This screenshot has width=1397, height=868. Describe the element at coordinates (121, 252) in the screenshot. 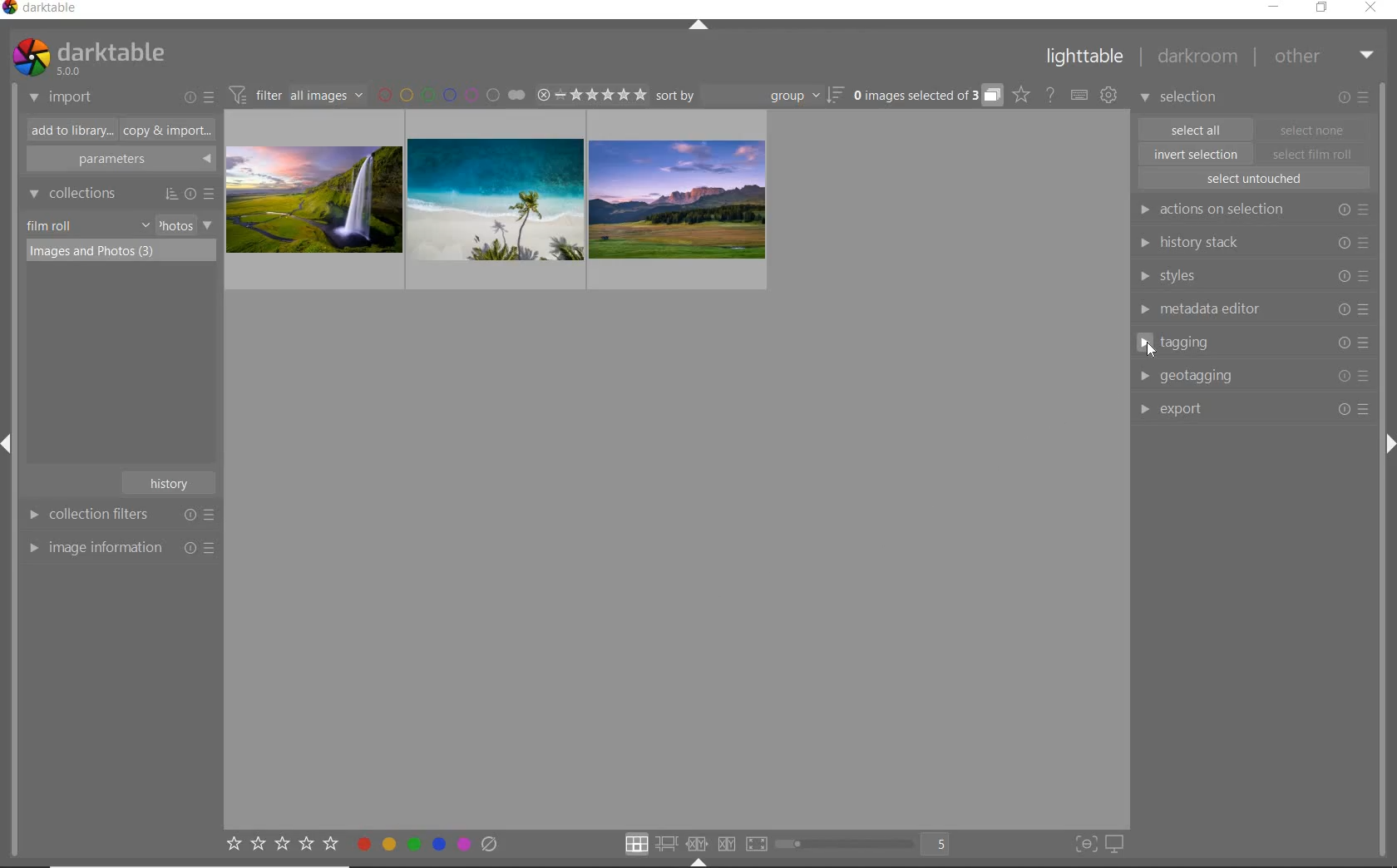

I see `images & photos` at that location.